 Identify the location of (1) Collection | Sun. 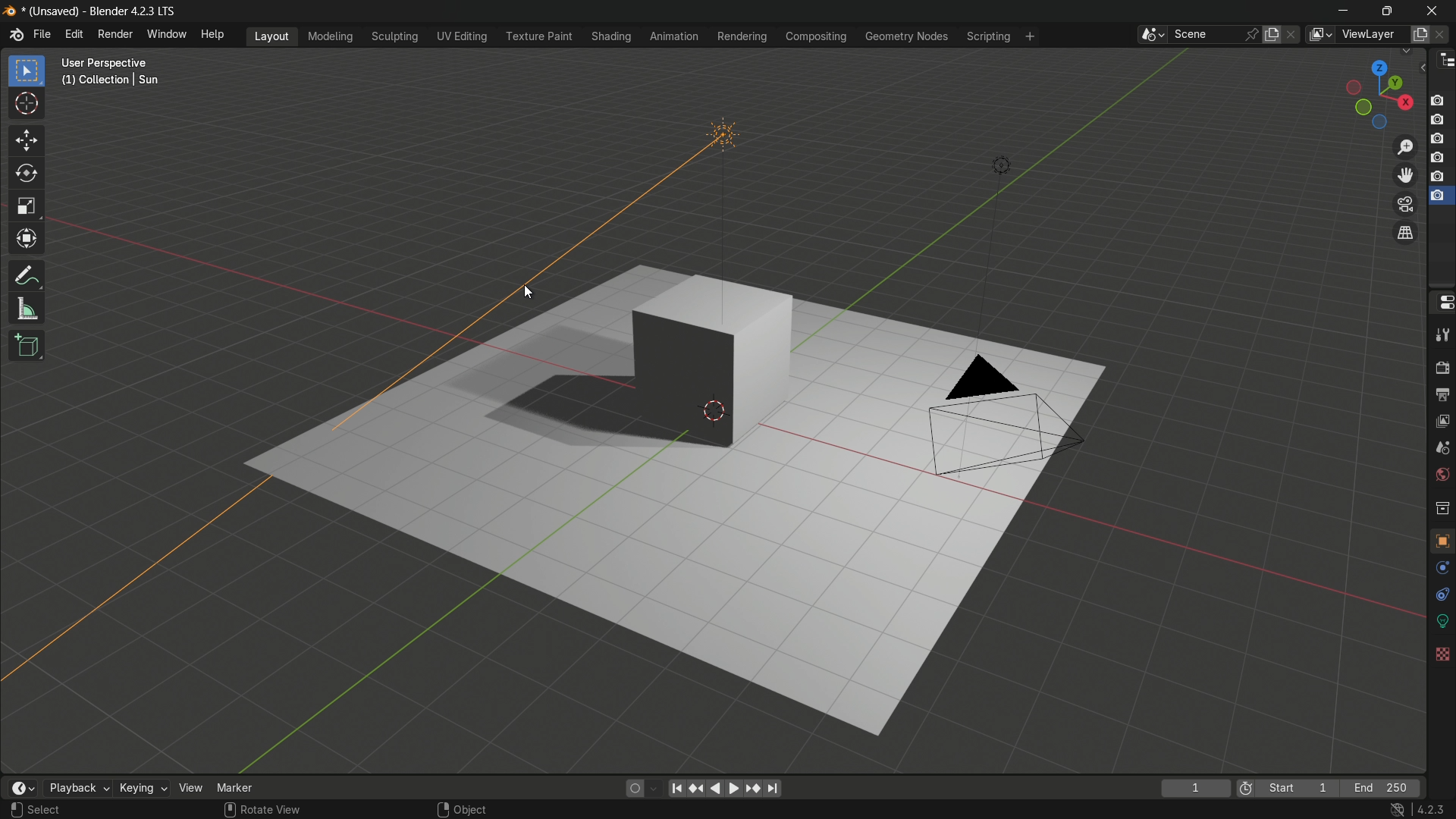
(111, 80).